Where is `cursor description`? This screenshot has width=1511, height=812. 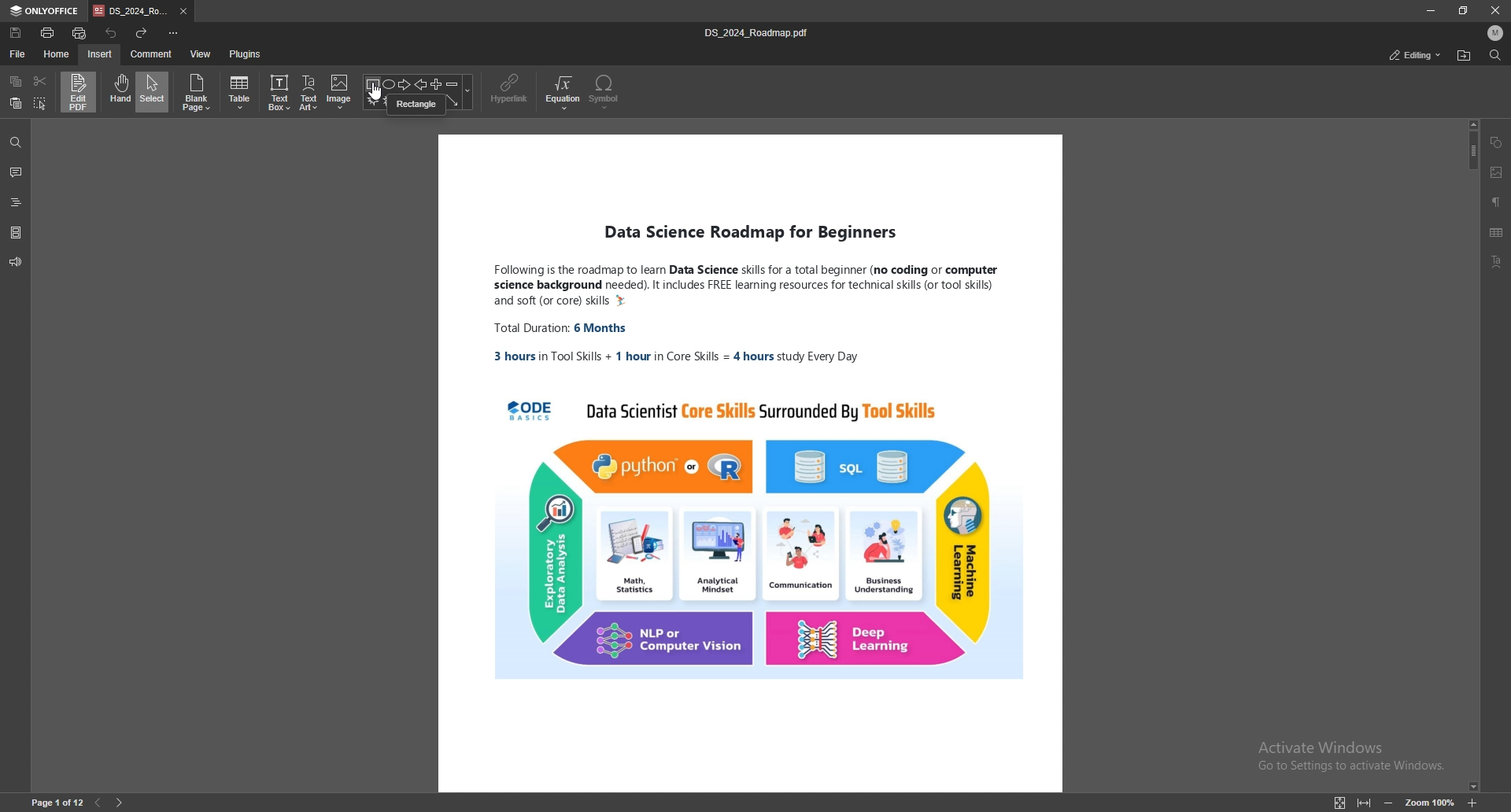 cursor description is located at coordinates (417, 104).